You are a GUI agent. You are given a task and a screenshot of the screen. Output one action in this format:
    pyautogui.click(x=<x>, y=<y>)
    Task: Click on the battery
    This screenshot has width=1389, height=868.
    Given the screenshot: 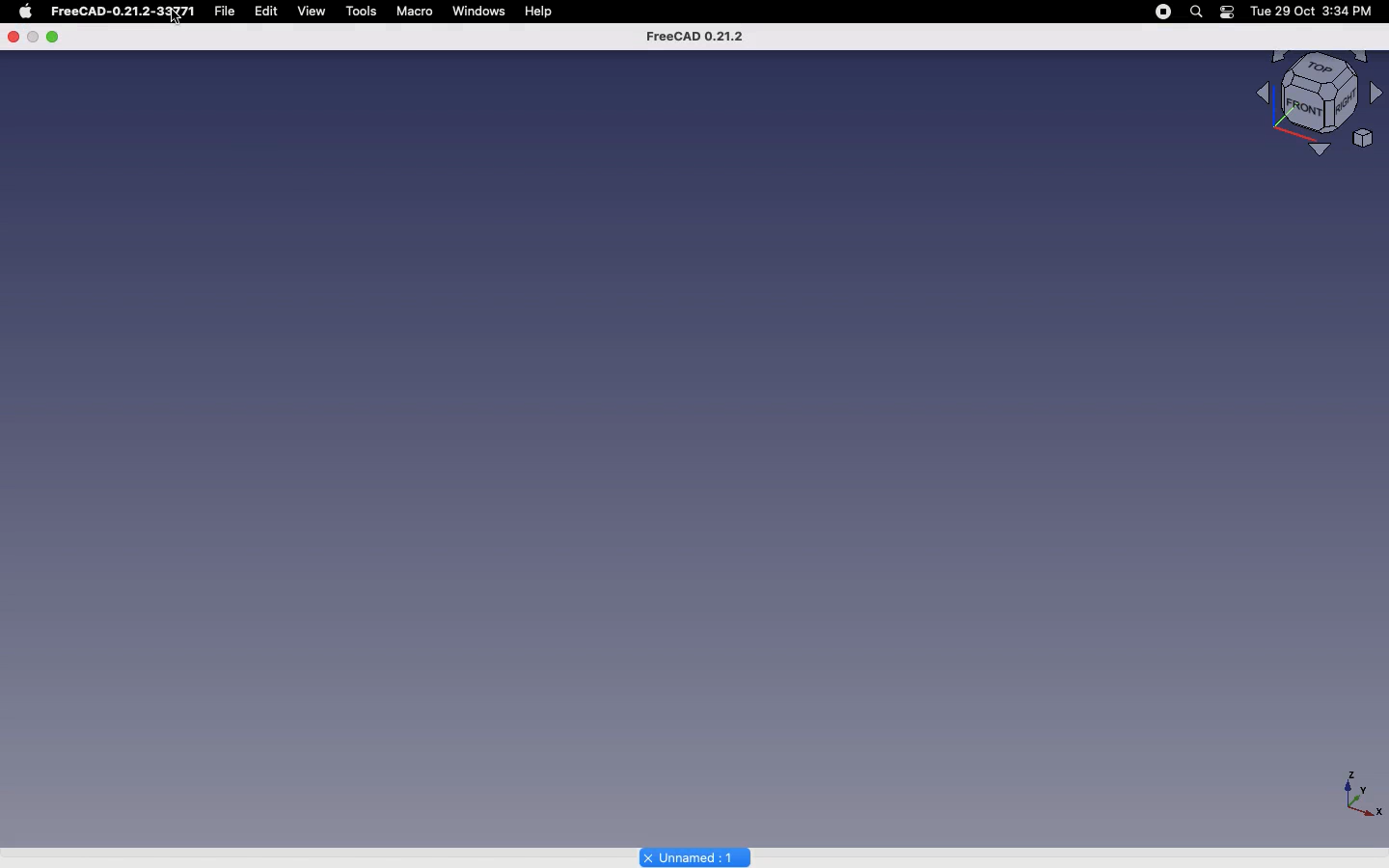 What is the action you would take?
    pyautogui.click(x=1228, y=14)
    